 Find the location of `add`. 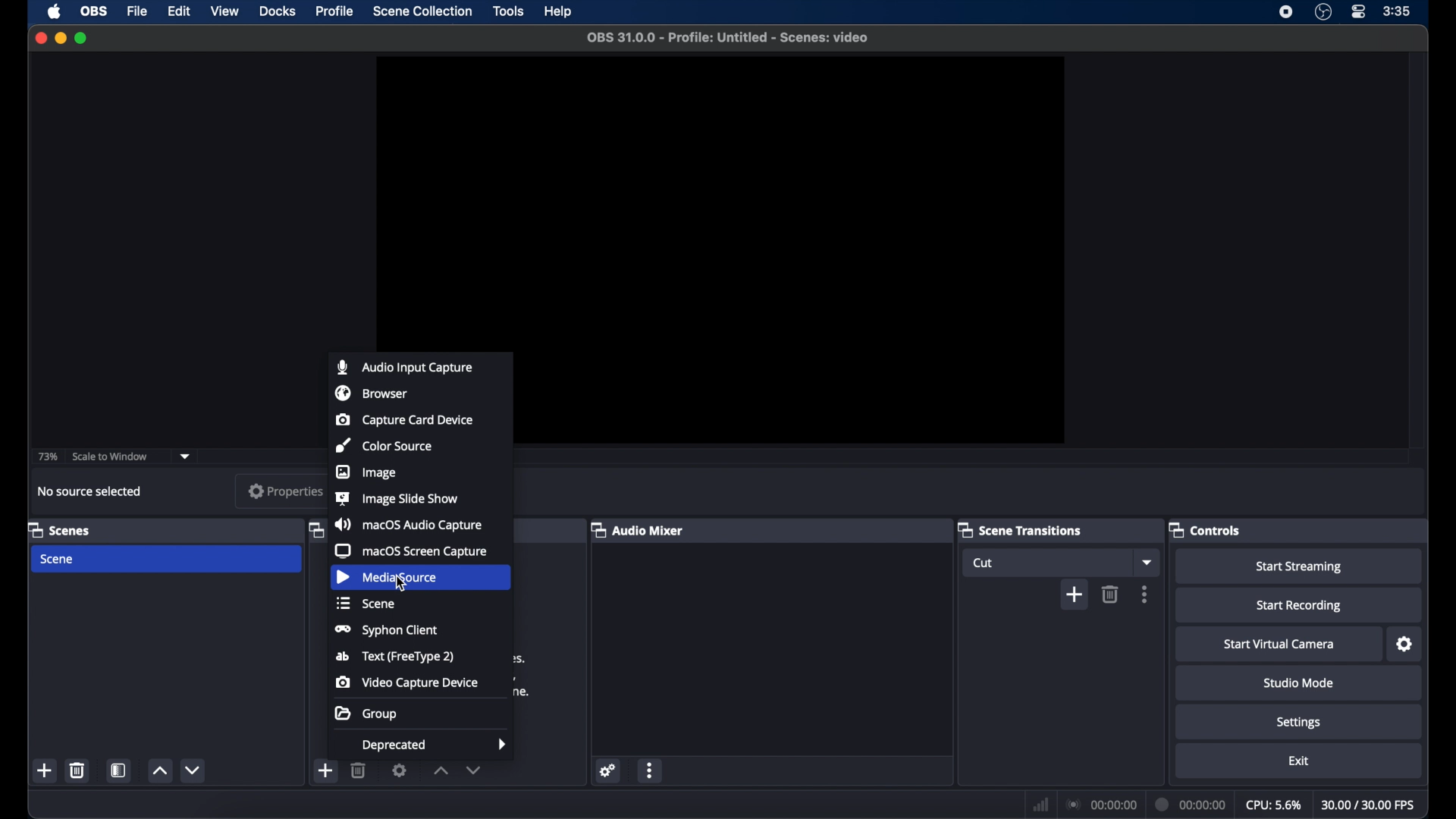

add is located at coordinates (1074, 594).